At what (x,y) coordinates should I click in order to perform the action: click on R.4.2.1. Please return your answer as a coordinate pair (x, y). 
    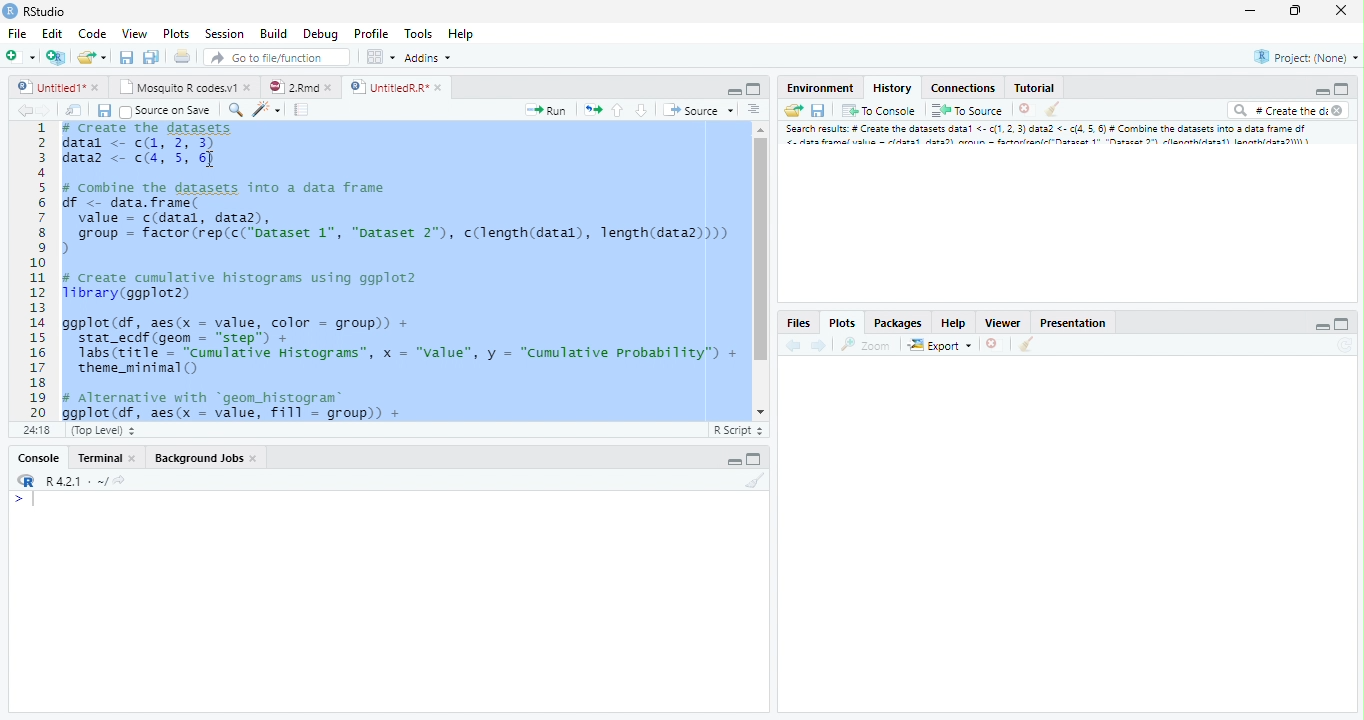
    Looking at the image, I should click on (65, 481).